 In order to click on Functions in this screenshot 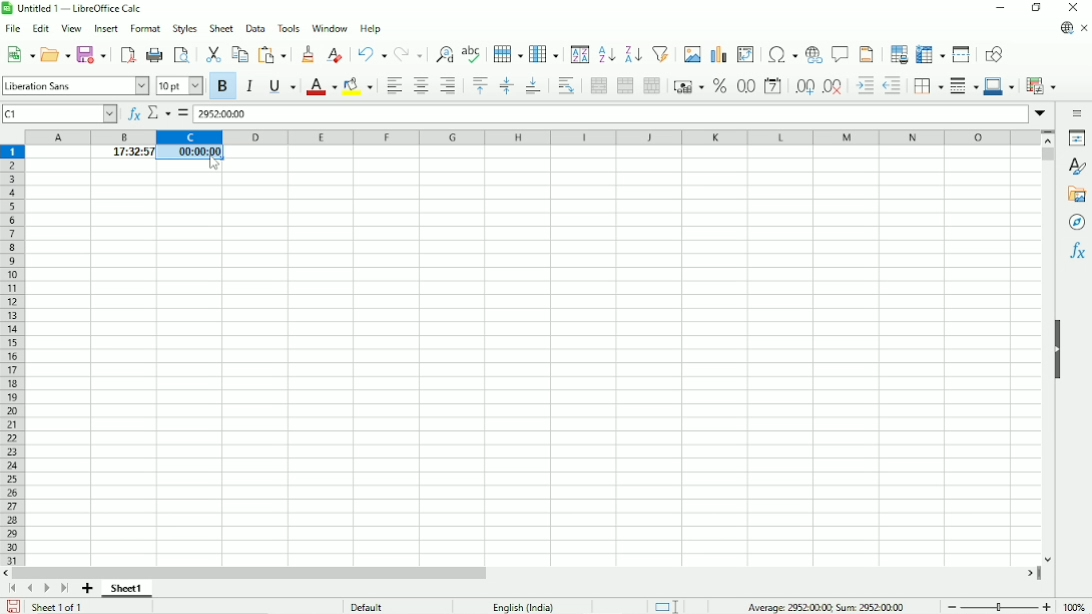, I will do `click(1076, 252)`.